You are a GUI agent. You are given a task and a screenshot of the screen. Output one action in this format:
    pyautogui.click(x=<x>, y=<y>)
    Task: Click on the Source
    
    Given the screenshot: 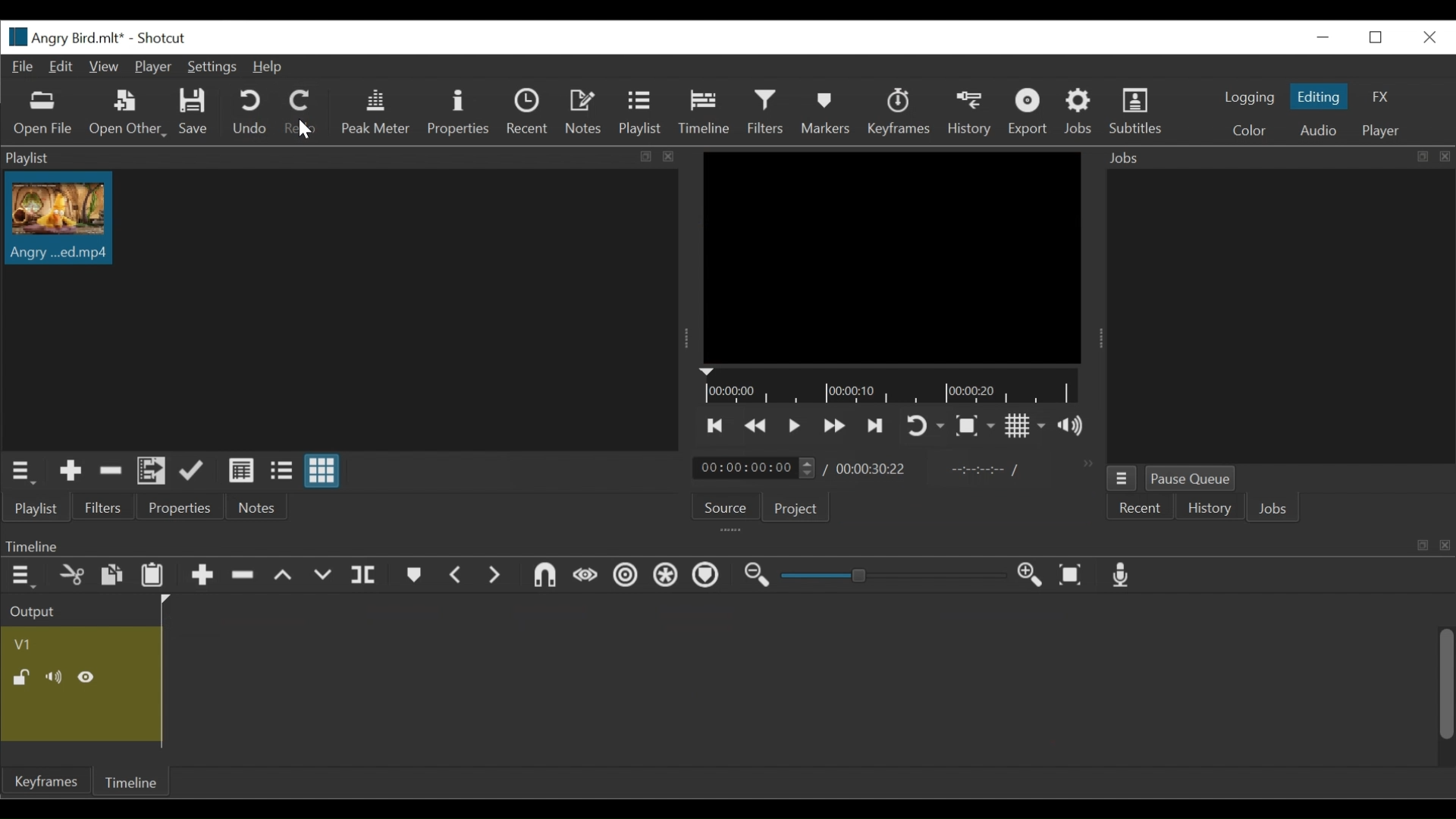 What is the action you would take?
    pyautogui.click(x=721, y=508)
    